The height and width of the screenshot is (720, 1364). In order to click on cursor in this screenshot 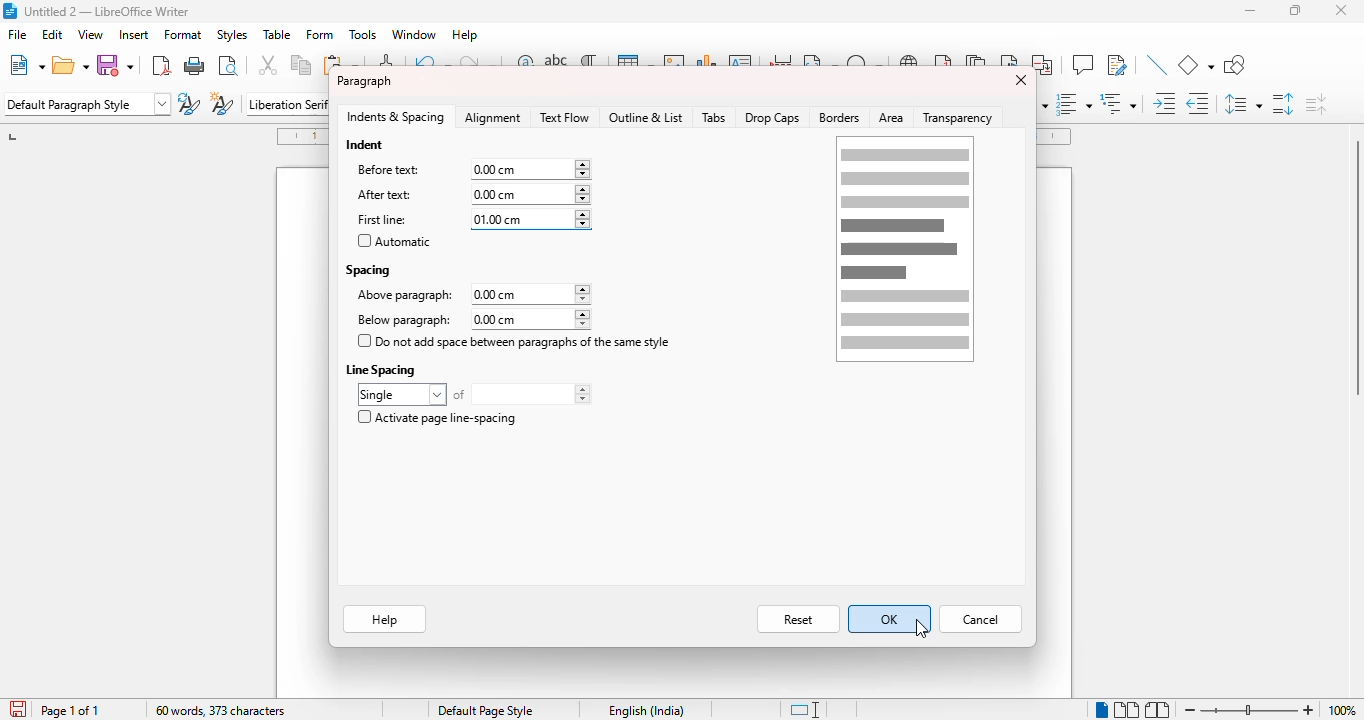, I will do `click(922, 628)`.